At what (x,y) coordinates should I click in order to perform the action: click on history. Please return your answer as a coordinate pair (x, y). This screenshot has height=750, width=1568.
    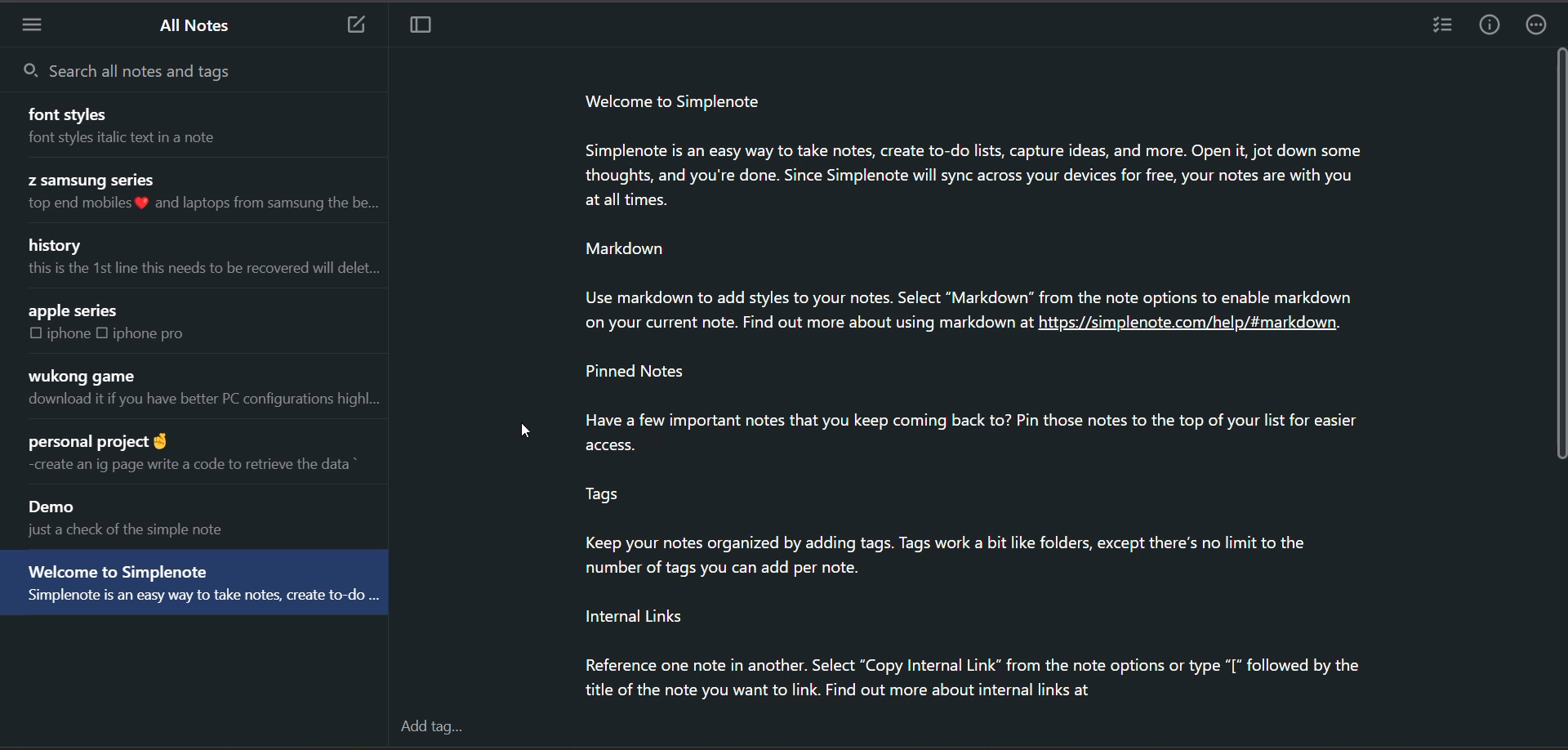
    Looking at the image, I should click on (62, 243).